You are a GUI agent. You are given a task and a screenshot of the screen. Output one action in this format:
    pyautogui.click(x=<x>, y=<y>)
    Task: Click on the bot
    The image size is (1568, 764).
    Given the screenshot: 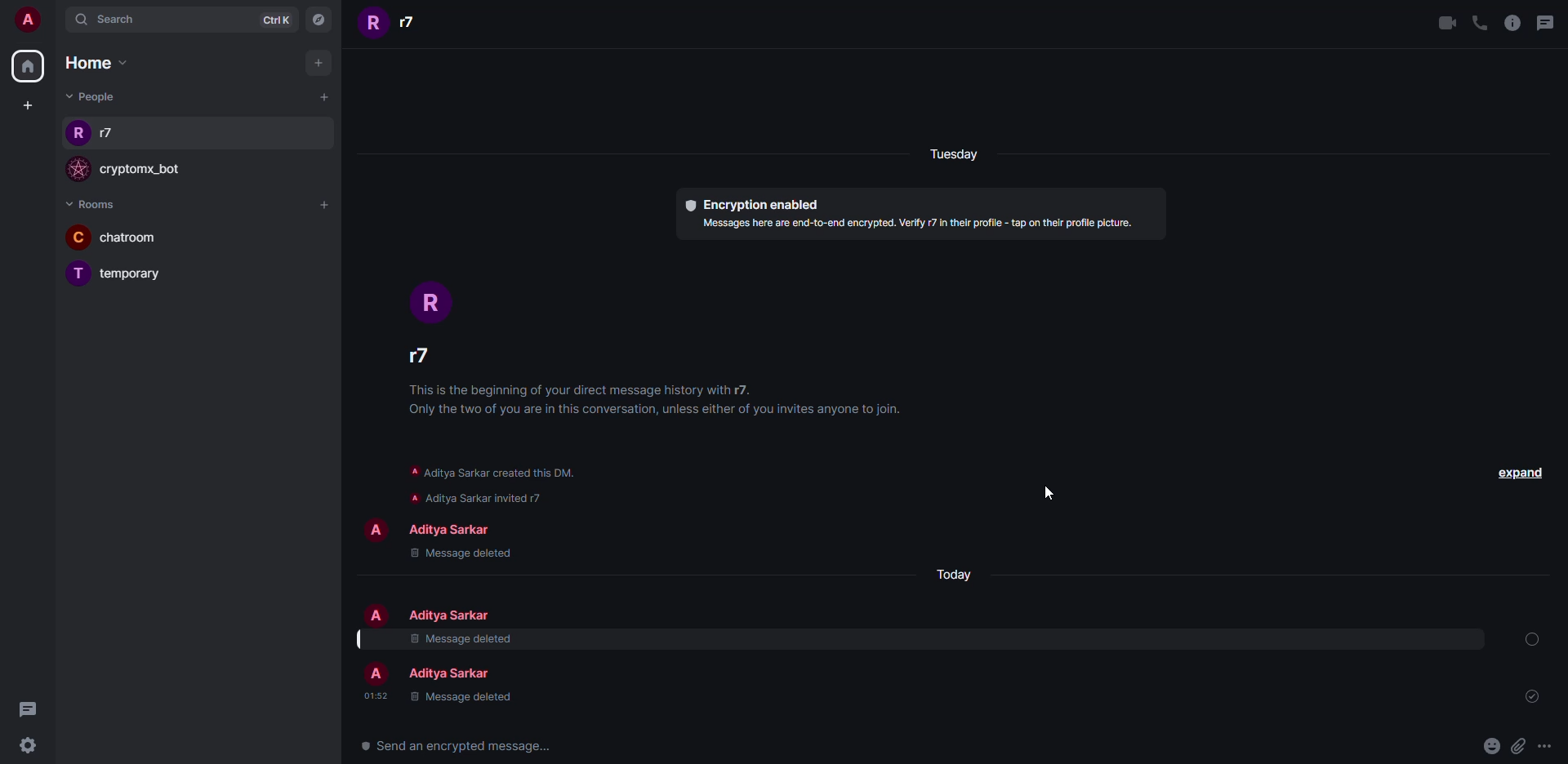 What is the action you would take?
    pyautogui.click(x=144, y=171)
    